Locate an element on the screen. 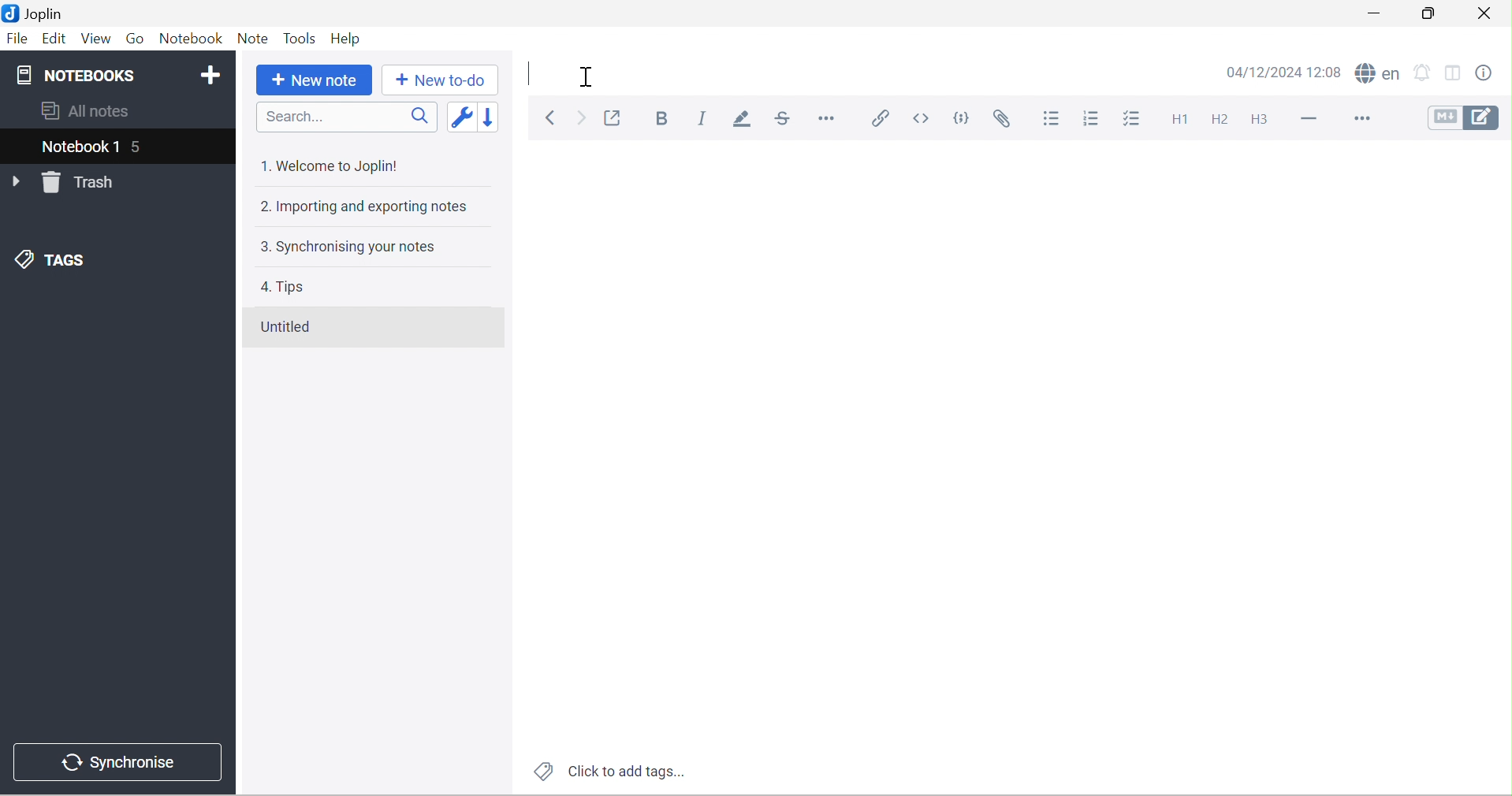  Reverse sort order is located at coordinates (492, 114).